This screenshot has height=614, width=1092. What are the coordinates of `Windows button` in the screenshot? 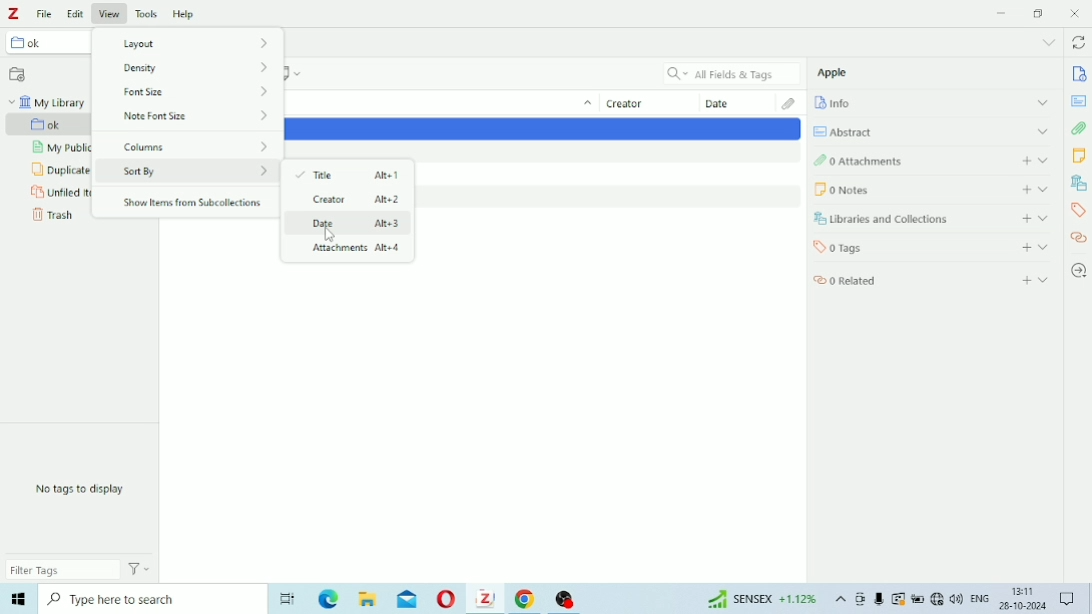 It's located at (18, 602).